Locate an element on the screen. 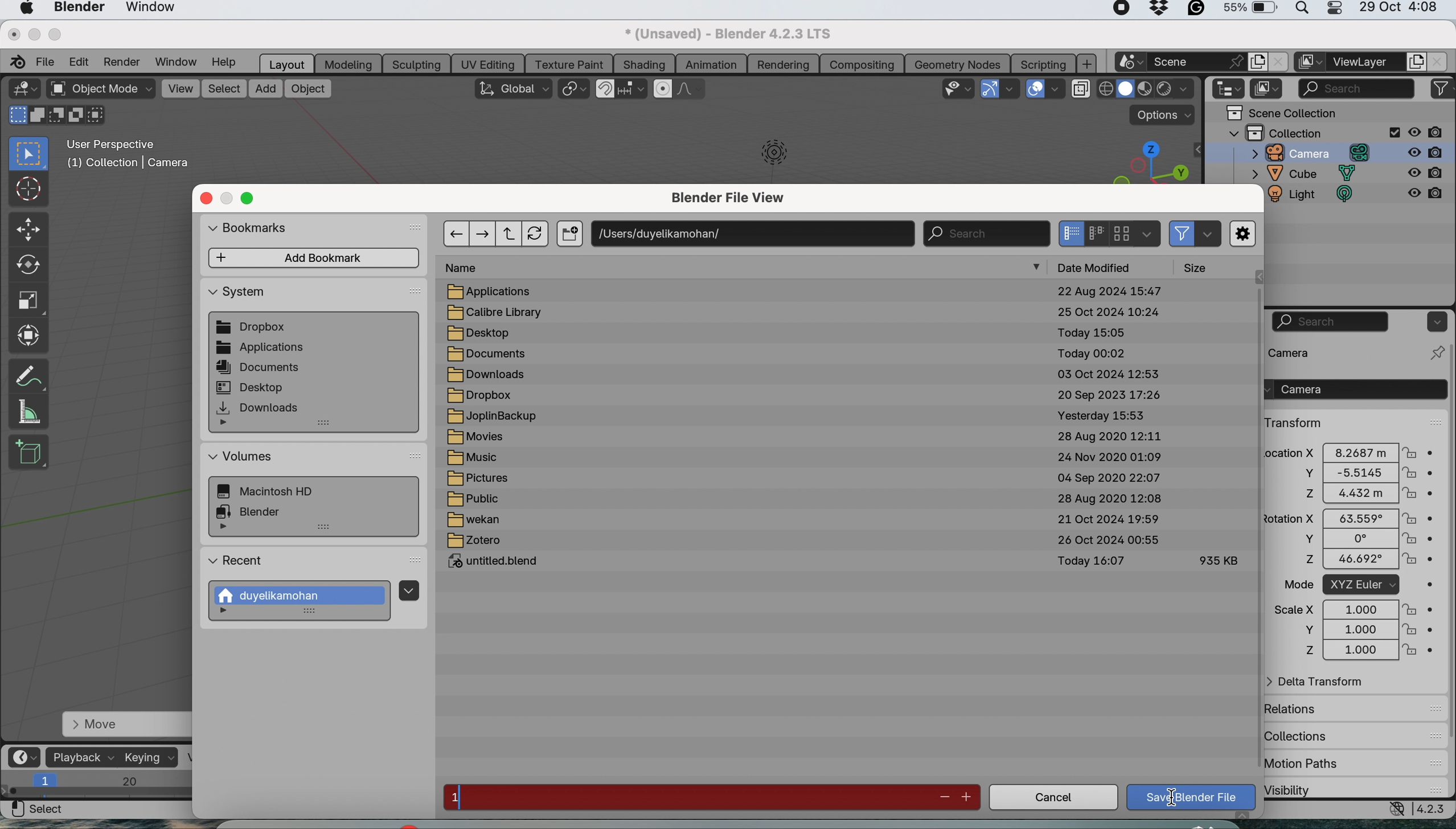 This screenshot has width=1456, height=829. applications is located at coordinates (261, 348).